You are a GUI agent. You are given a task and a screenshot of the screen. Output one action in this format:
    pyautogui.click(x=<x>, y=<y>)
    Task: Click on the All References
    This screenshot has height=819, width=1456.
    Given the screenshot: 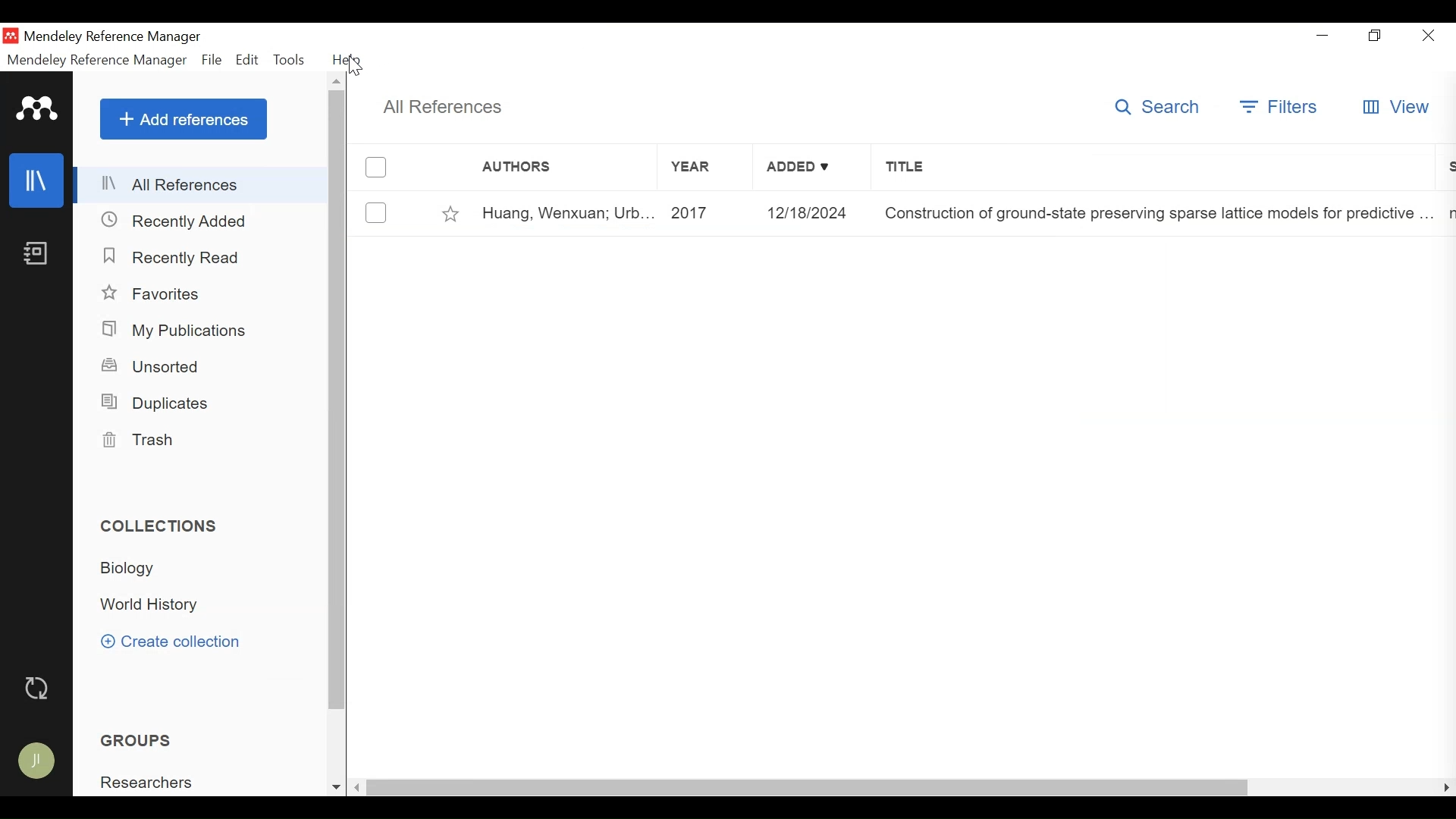 What is the action you would take?
    pyautogui.click(x=202, y=184)
    